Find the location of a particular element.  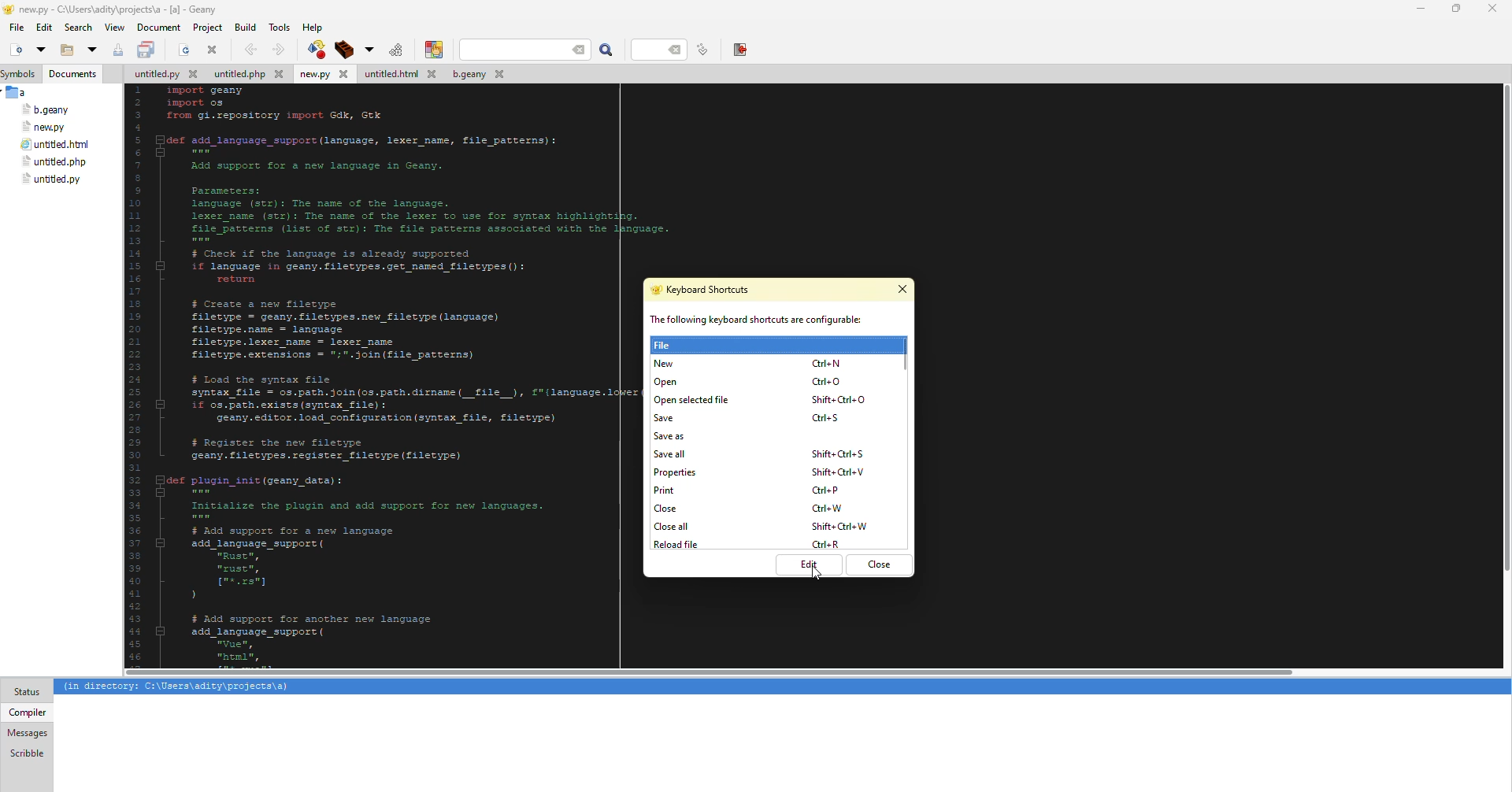

shortcut is located at coordinates (828, 545).